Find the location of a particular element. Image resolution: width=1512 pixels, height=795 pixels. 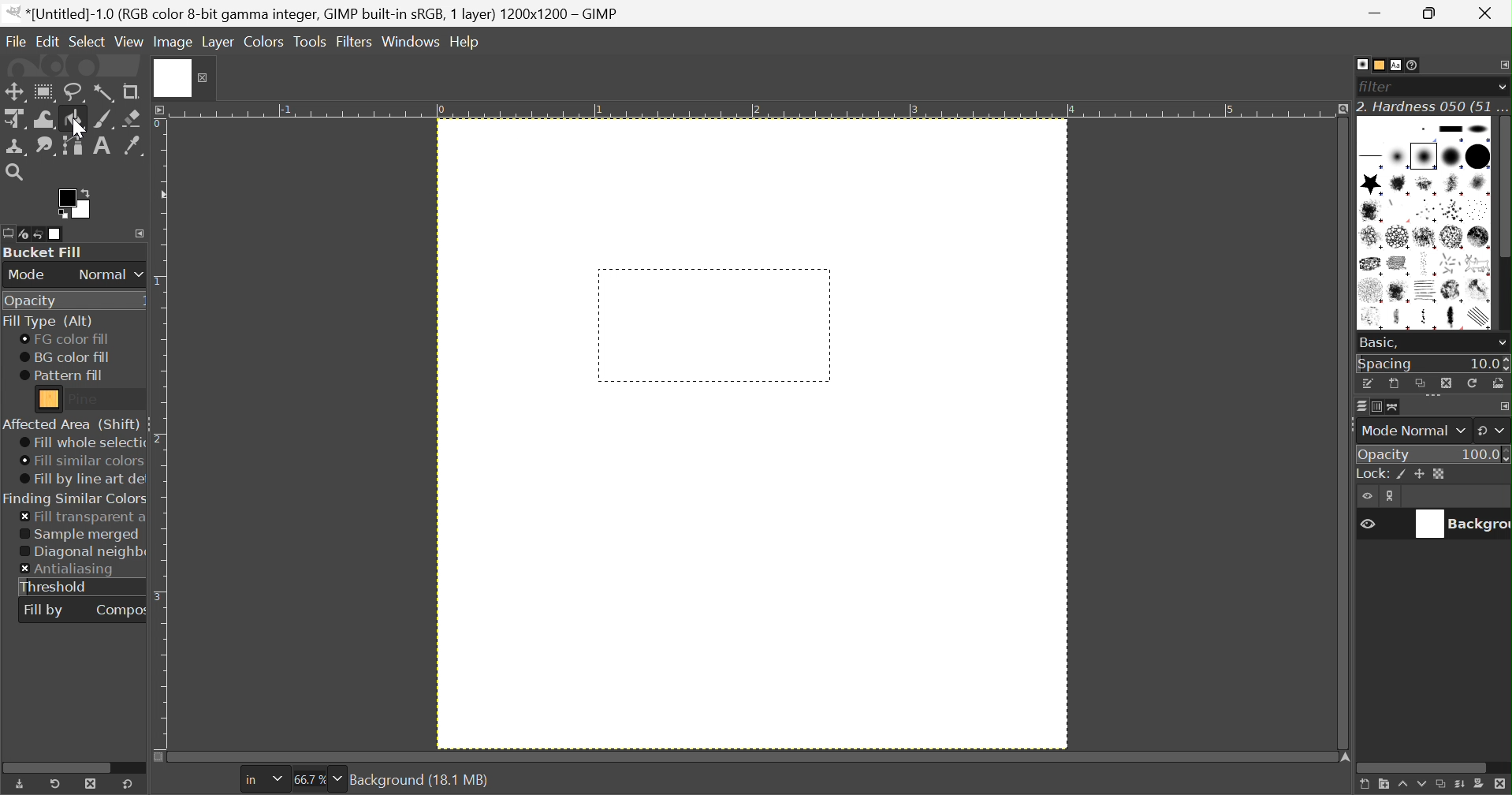

The active foreground color. Click to open the color selection dialog. is located at coordinates (73, 203).